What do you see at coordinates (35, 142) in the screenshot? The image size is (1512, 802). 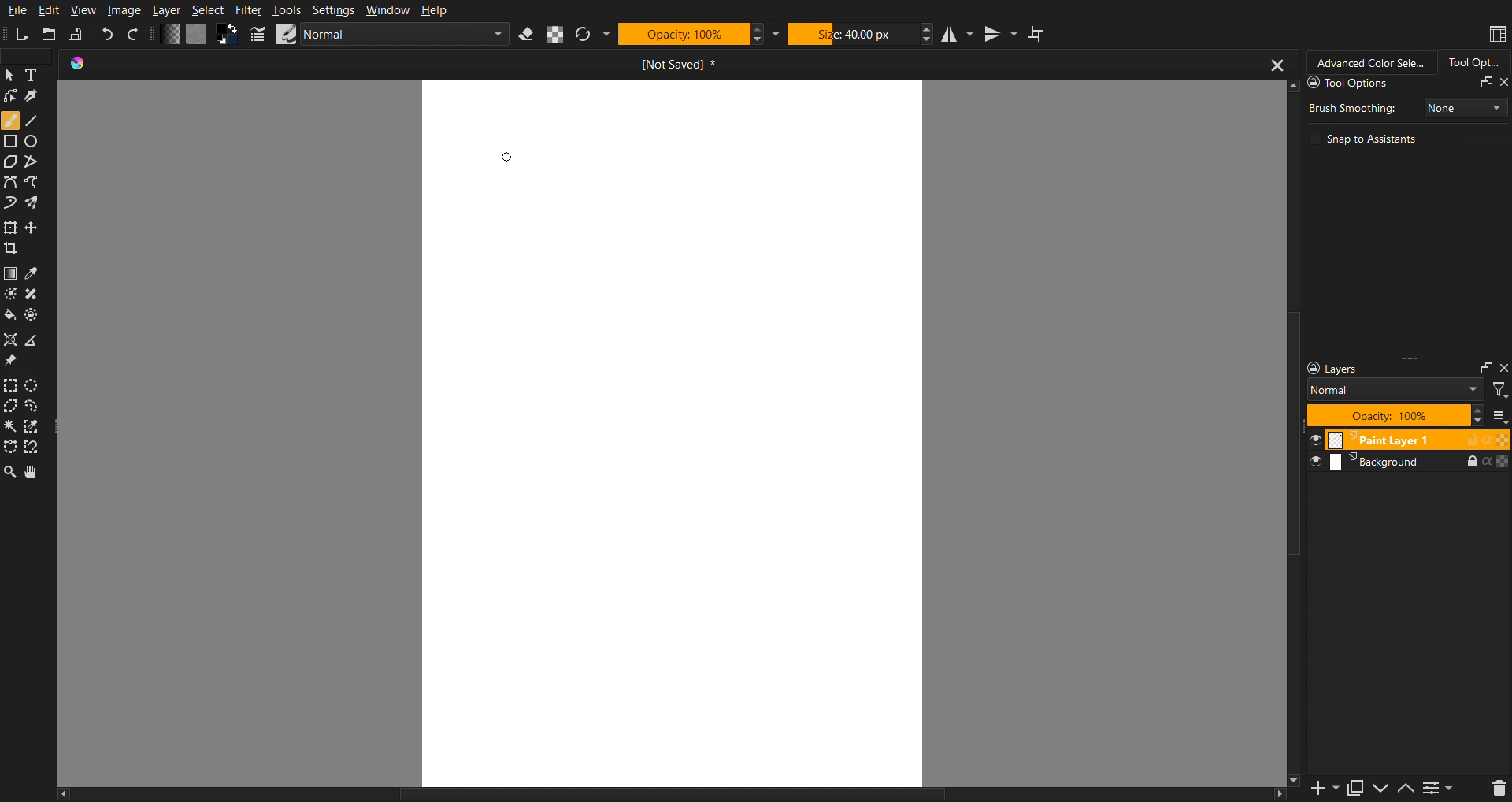 I see `Circle` at bounding box center [35, 142].